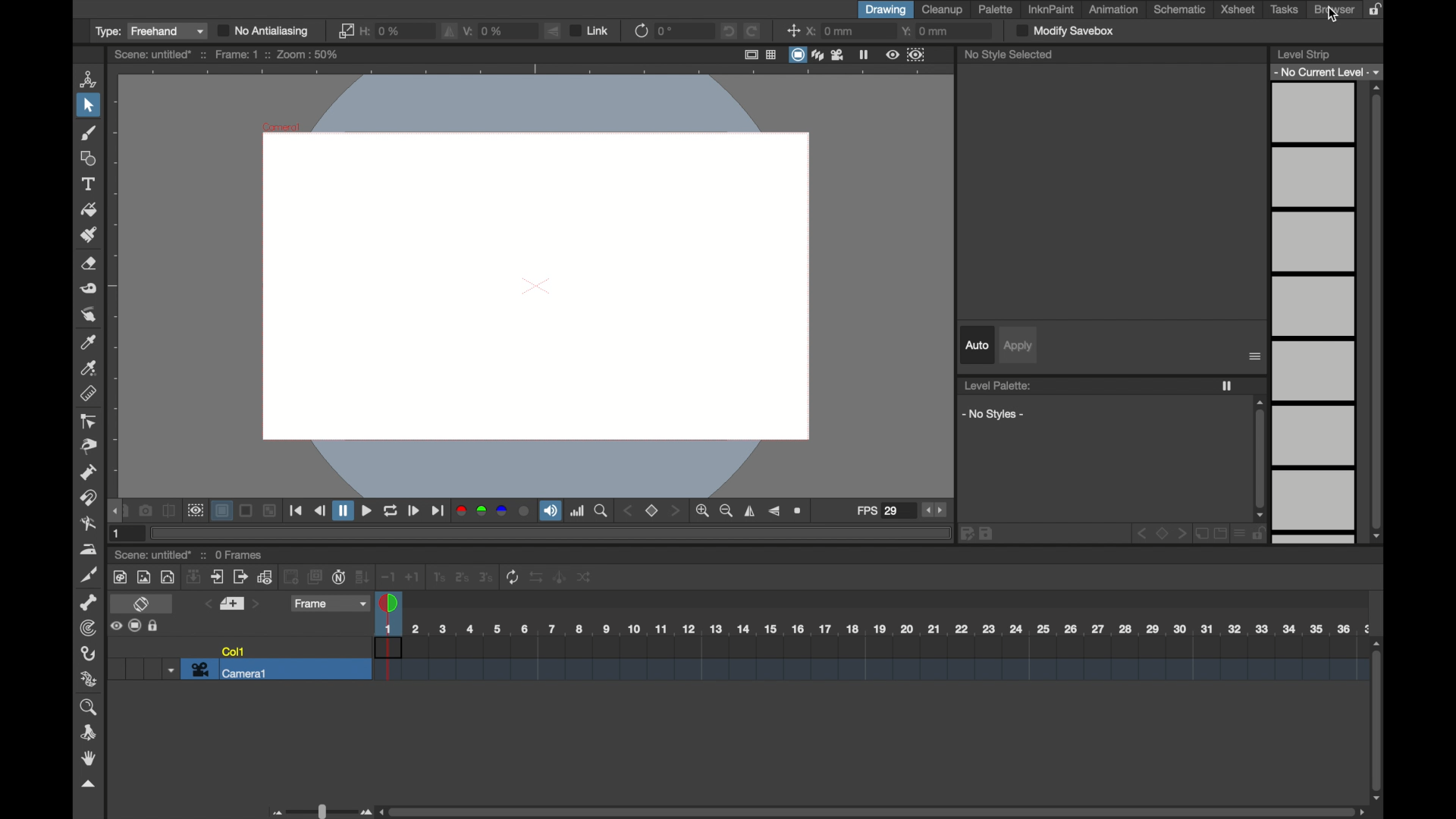 The height and width of the screenshot is (819, 1456). I want to click on cutter tool, so click(89, 576).